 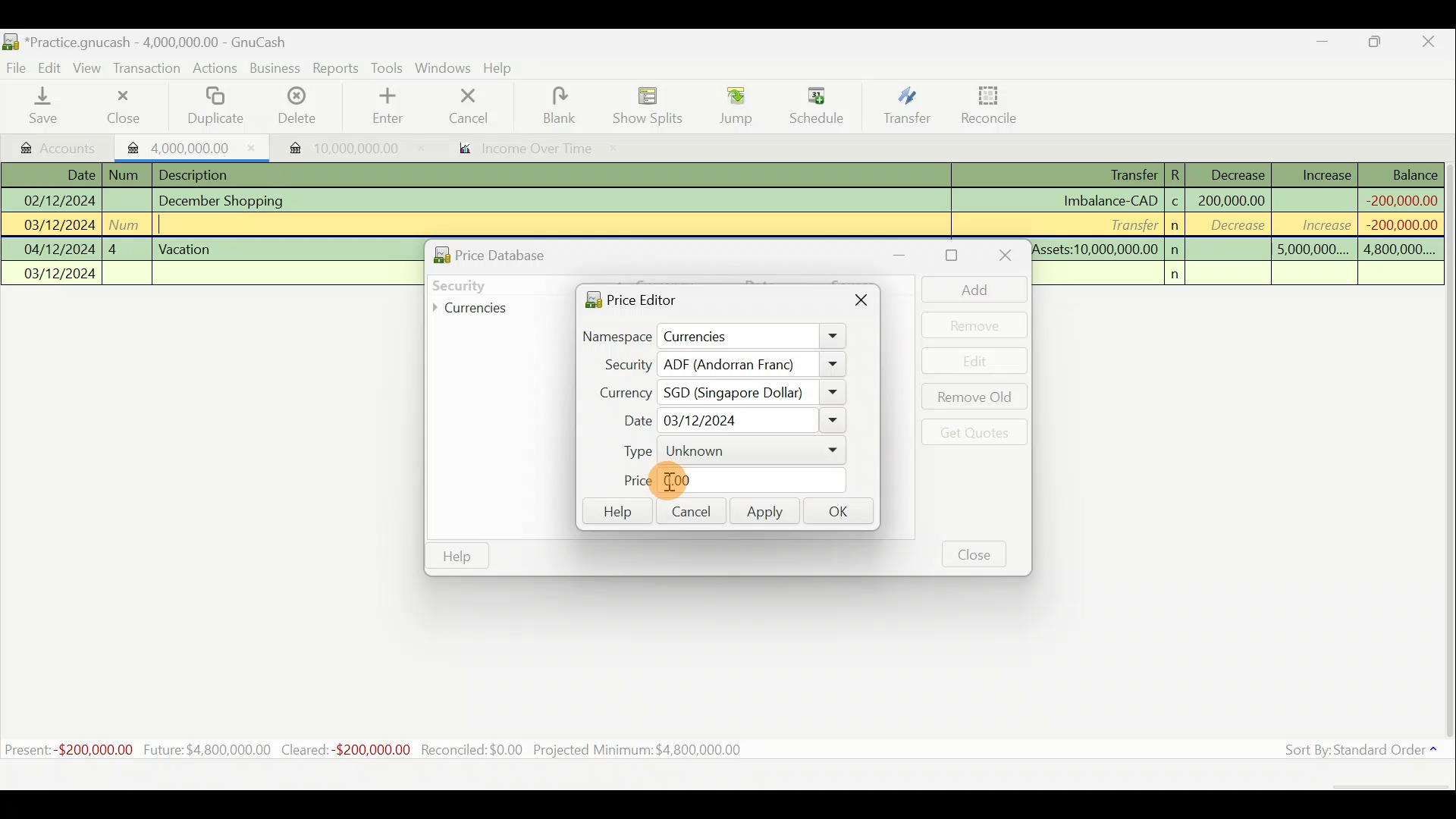 I want to click on Reports, so click(x=335, y=68).